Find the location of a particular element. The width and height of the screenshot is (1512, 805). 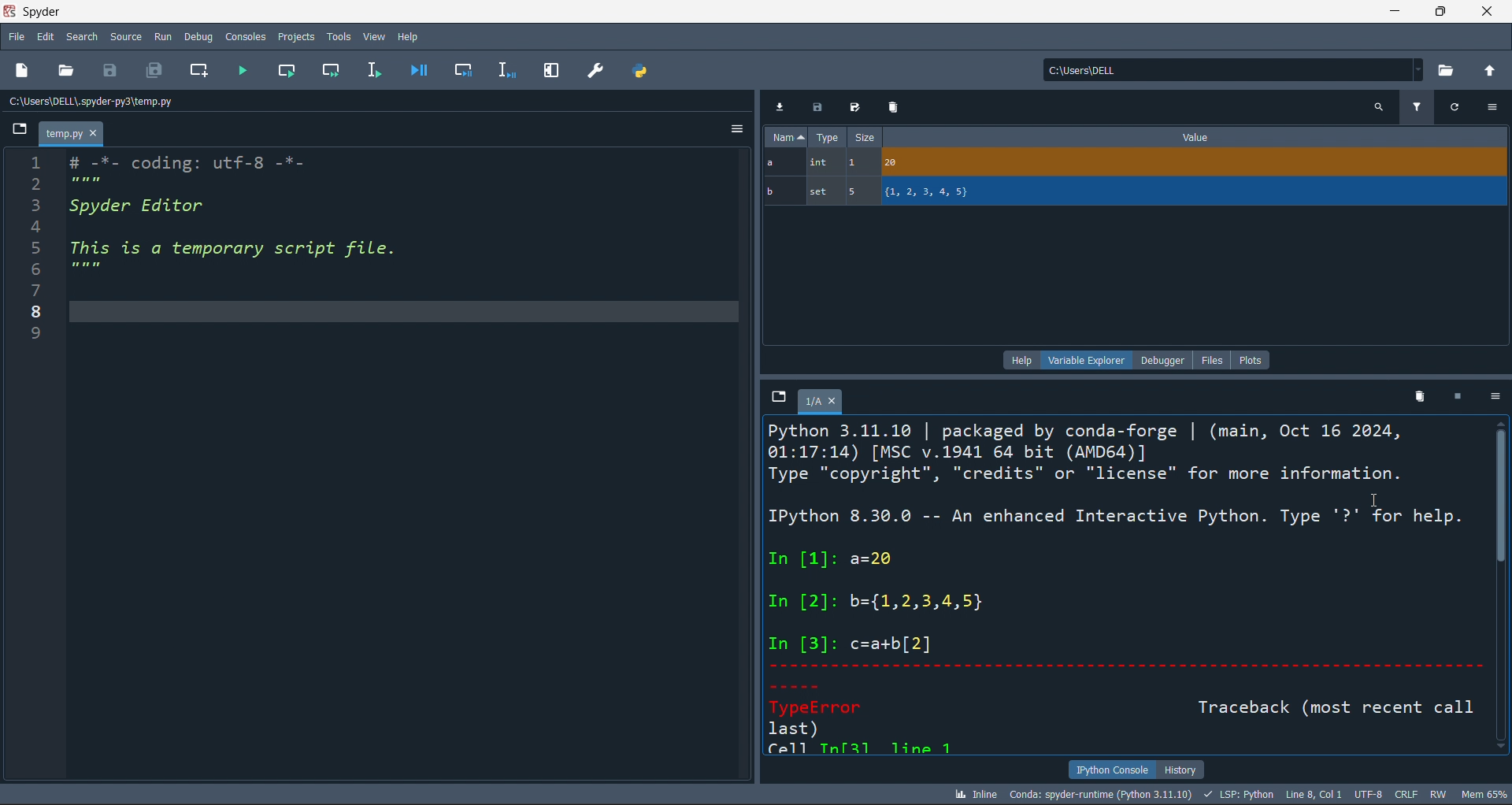

filter is located at coordinates (1416, 106).